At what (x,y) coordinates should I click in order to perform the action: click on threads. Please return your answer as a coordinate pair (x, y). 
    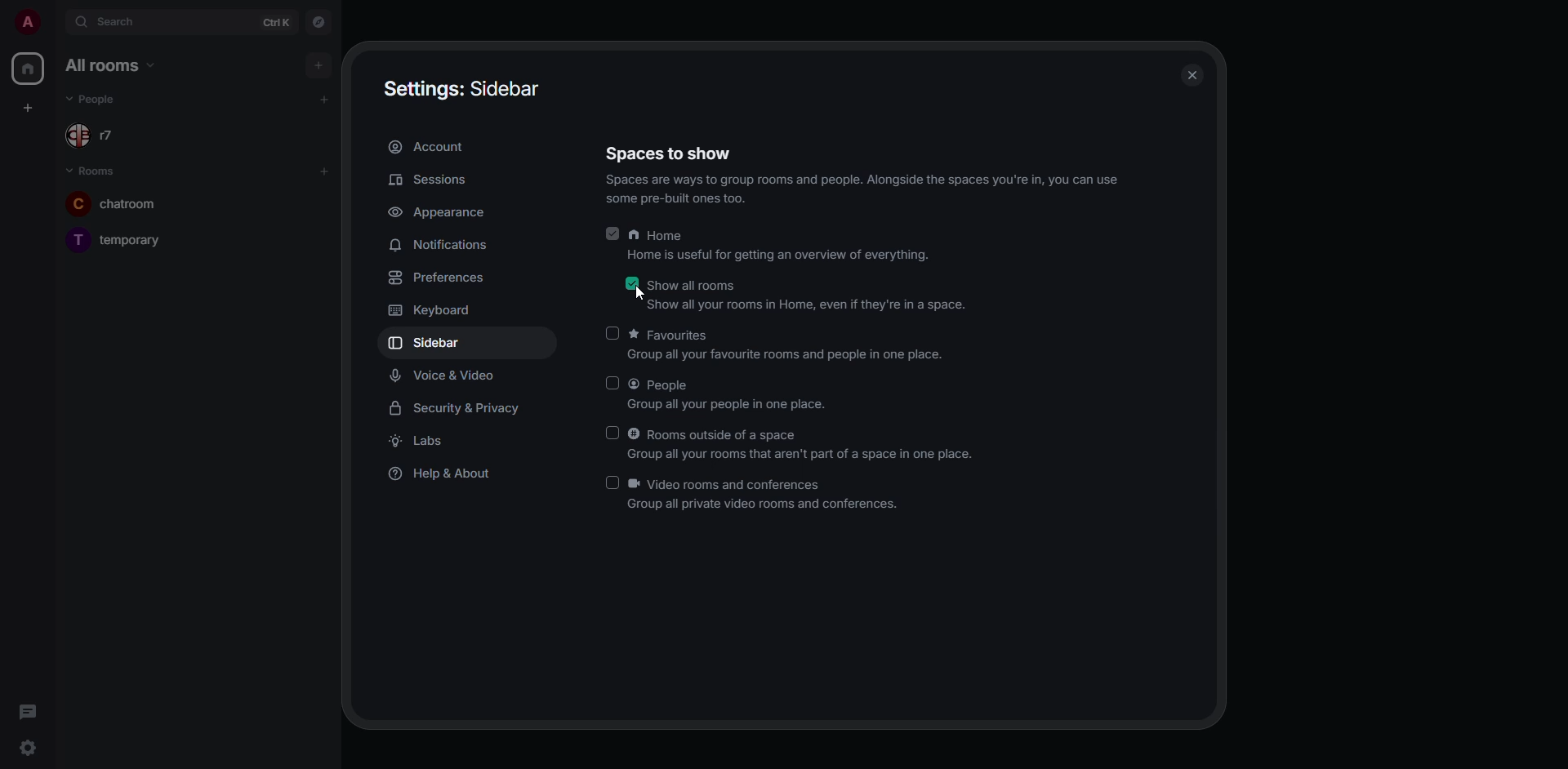
    Looking at the image, I should click on (27, 713).